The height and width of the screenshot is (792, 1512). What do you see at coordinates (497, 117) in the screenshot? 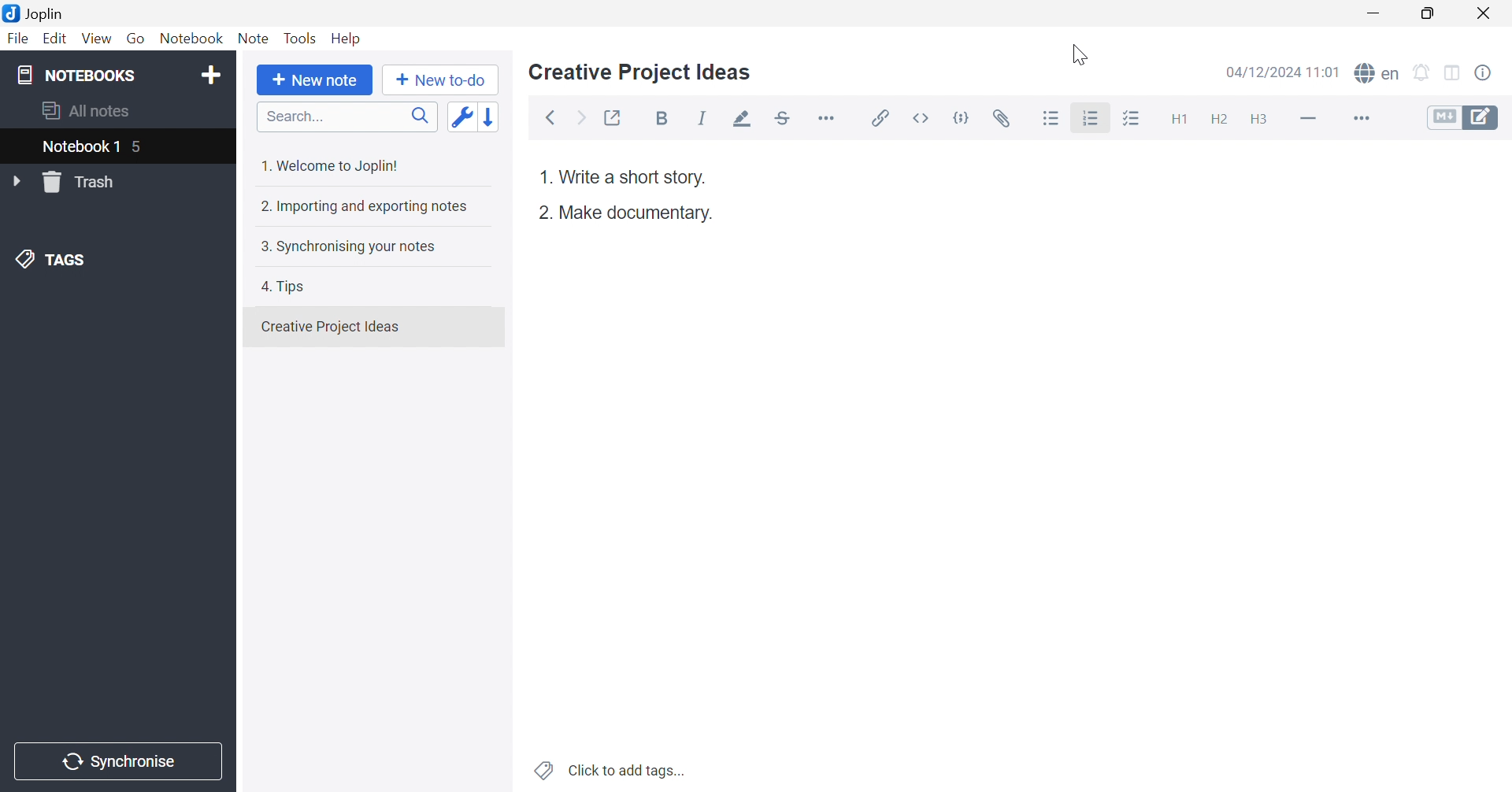
I see `Reverse sort order` at bounding box center [497, 117].